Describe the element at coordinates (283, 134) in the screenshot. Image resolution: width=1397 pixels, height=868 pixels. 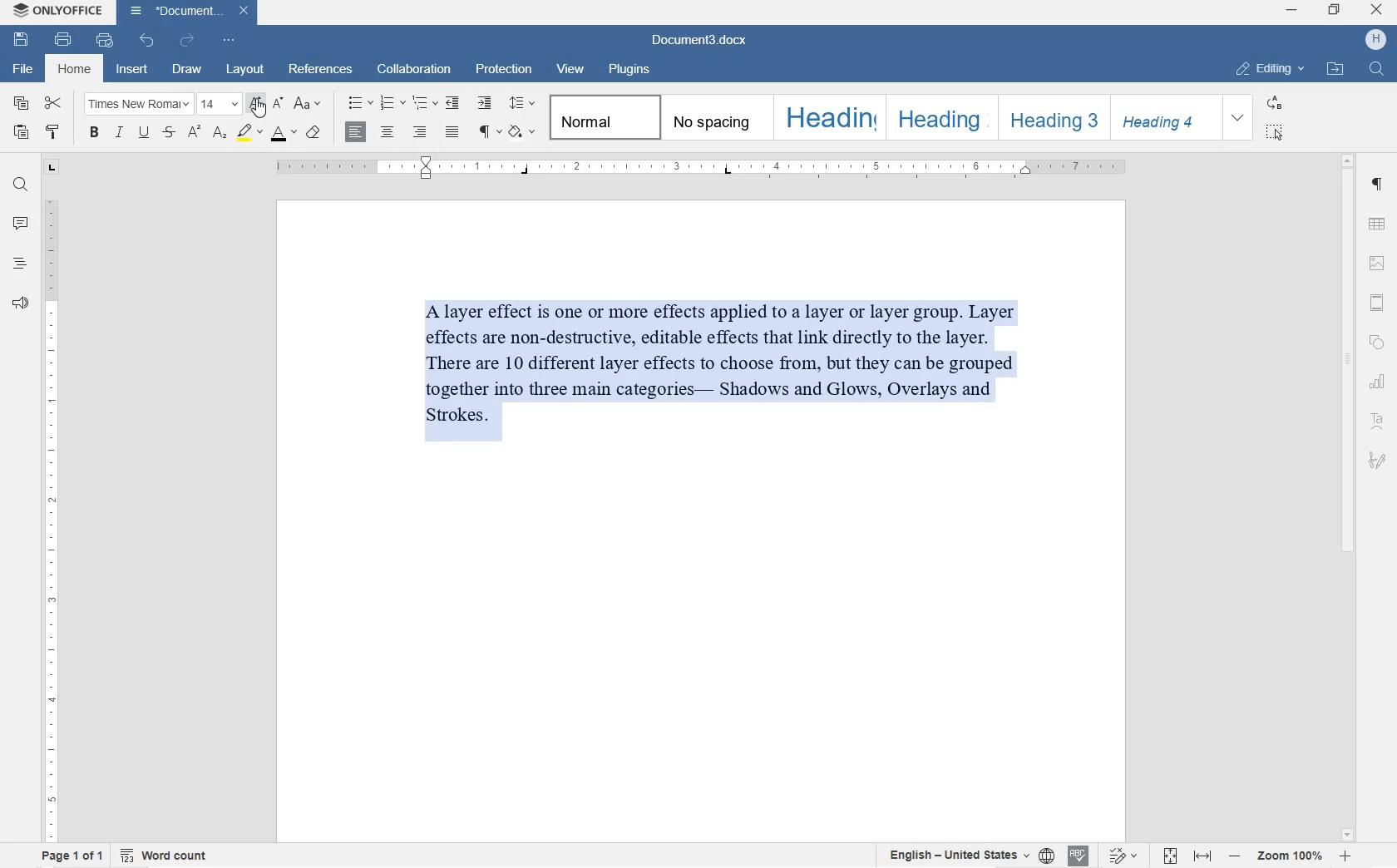
I see `FONT COLOR` at that location.